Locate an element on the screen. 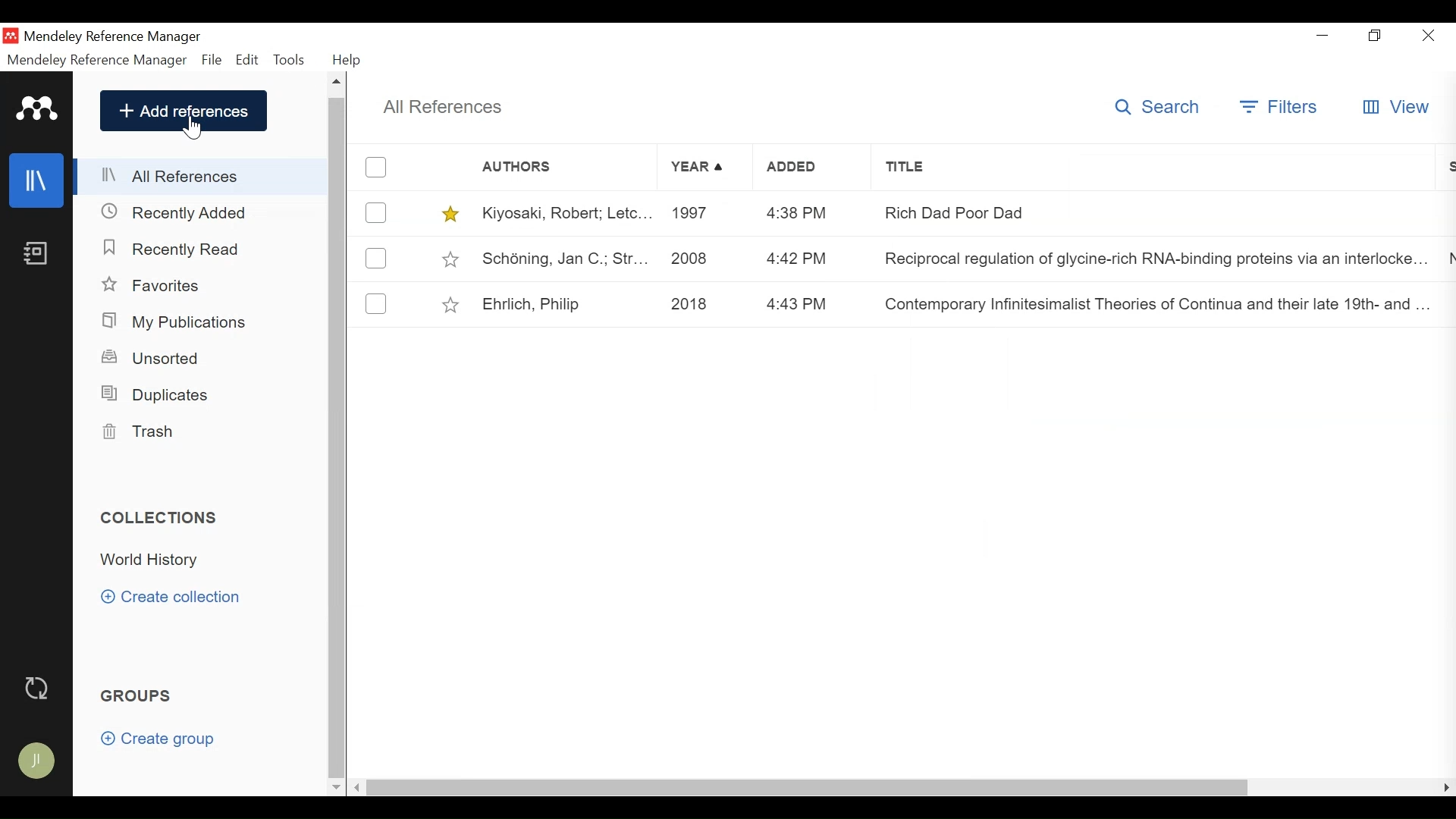 This screenshot has width=1456, height=819. Scroll down is located at coordinates (336, 786).